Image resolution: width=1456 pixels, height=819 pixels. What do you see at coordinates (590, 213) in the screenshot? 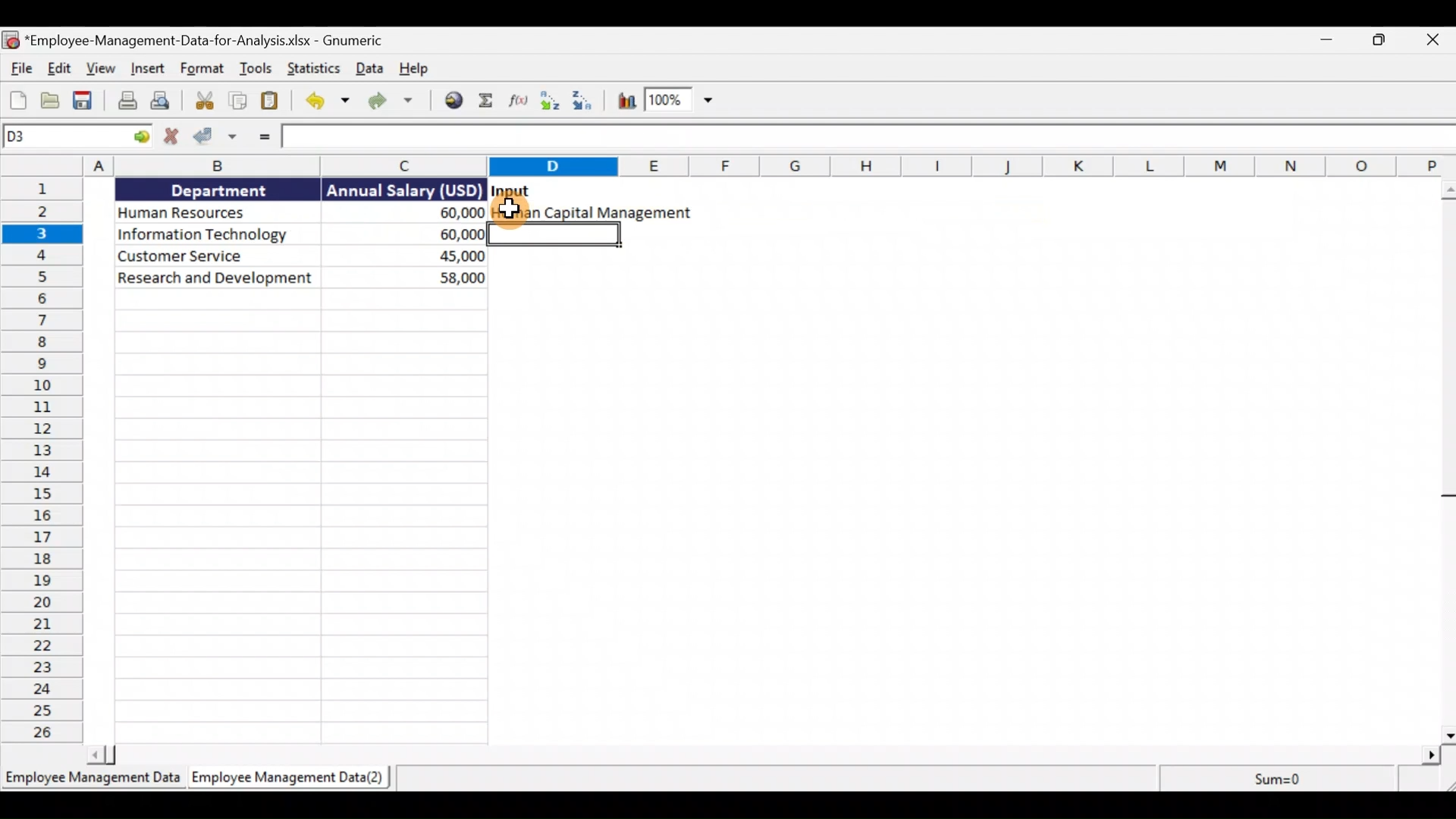
I see `Human Capital Management` at bounding box center [590, 213].